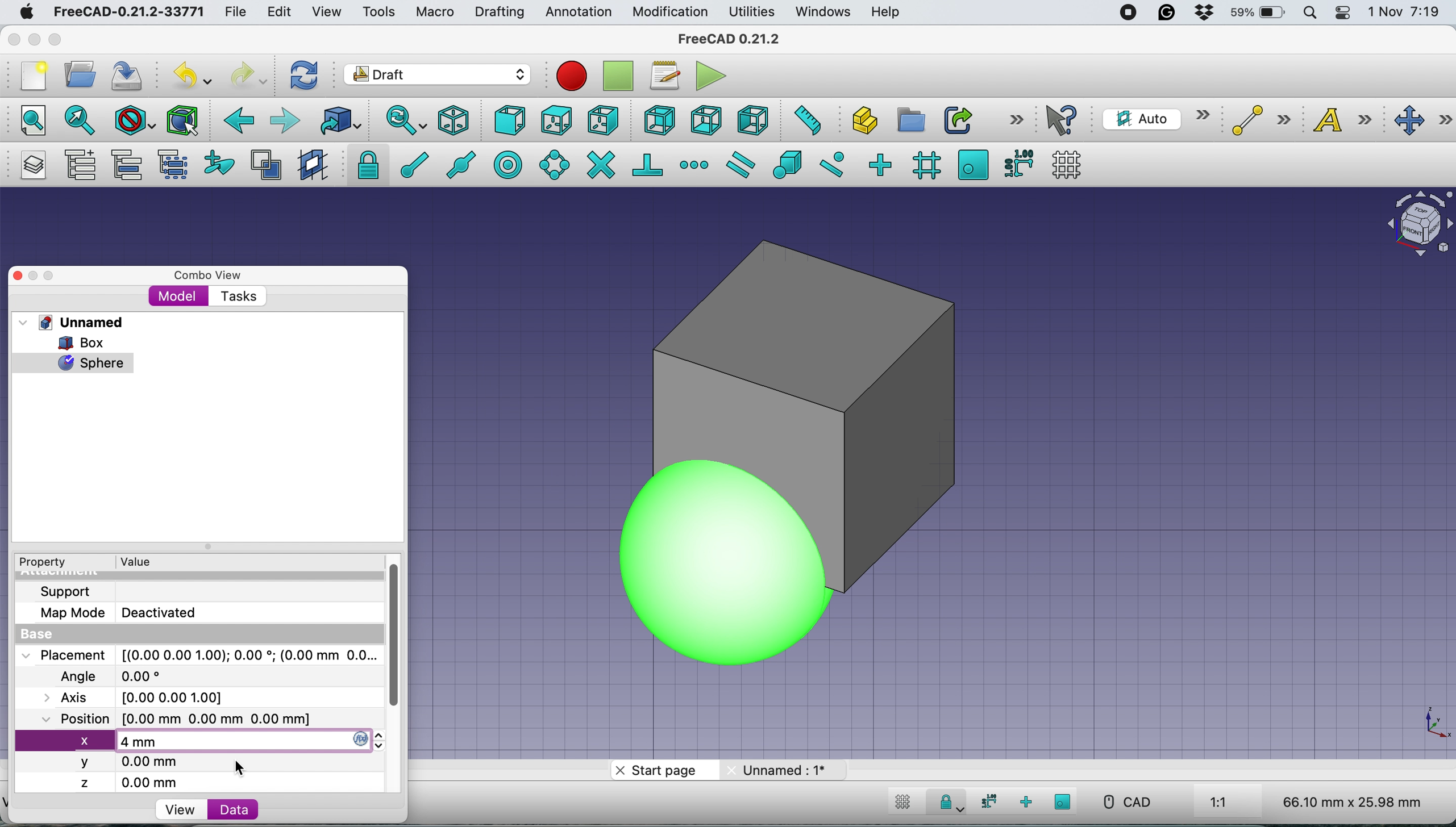 This screenshot has width=1456, height=827. What do you see at coordinates (208, 275) in the screenshot?
I see `combo view` at bounding box center [208, 275].